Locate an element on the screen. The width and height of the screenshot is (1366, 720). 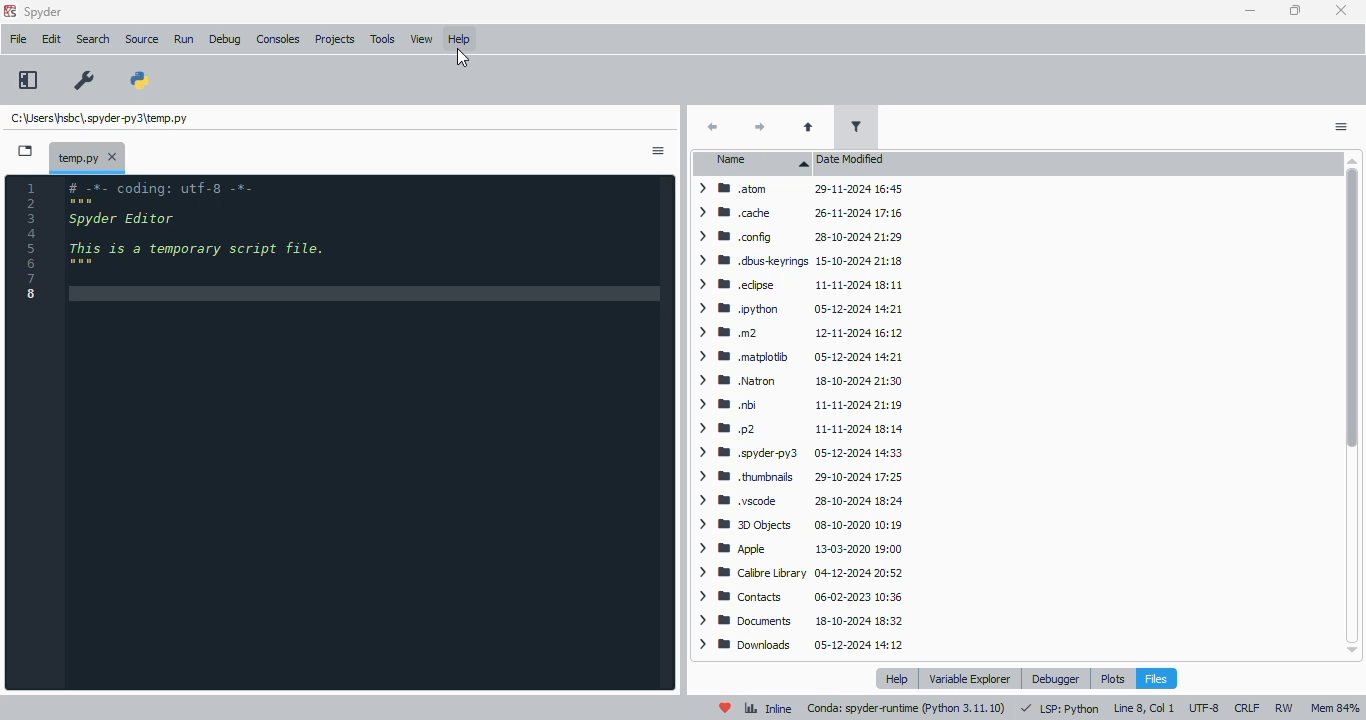
> Mm config 28-10-2024 21:29 is located at coordinates (796, 236).